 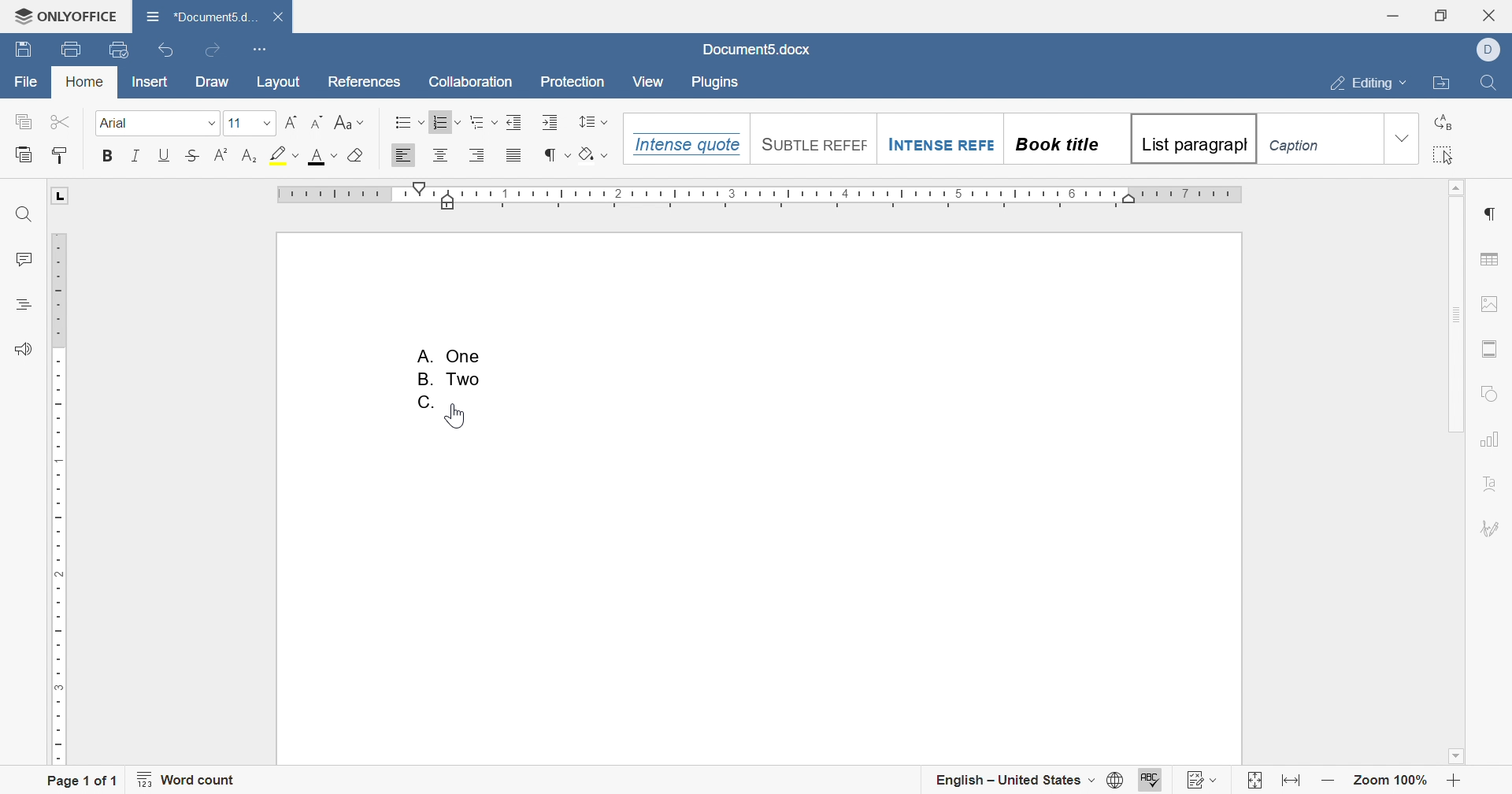 What do you see at coordinates (24, 257) in the screenshot?
I see `comments` at bounding box center [24, 257].